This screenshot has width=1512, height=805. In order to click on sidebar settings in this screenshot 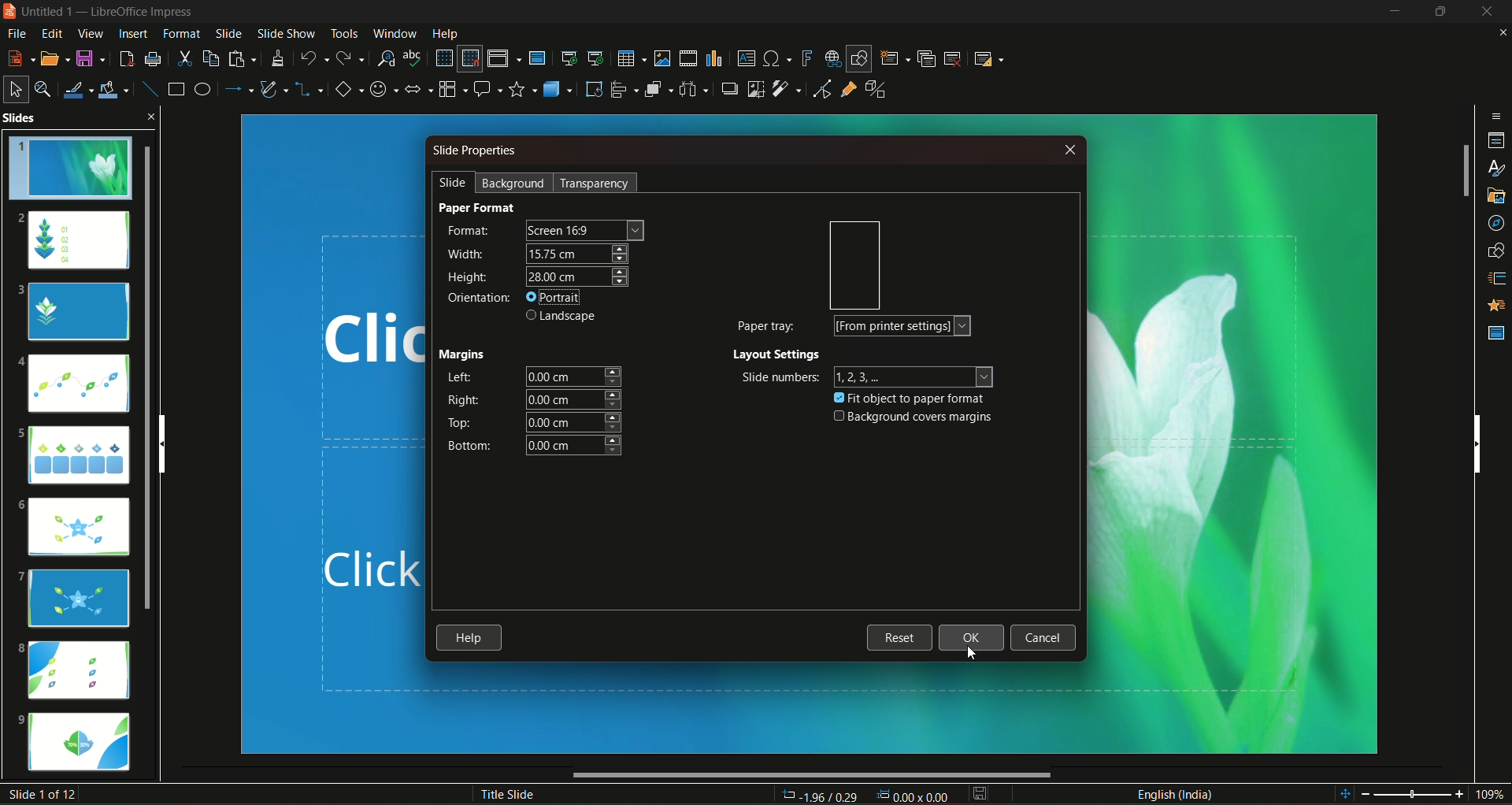, I will do `click(1496, 114)`.